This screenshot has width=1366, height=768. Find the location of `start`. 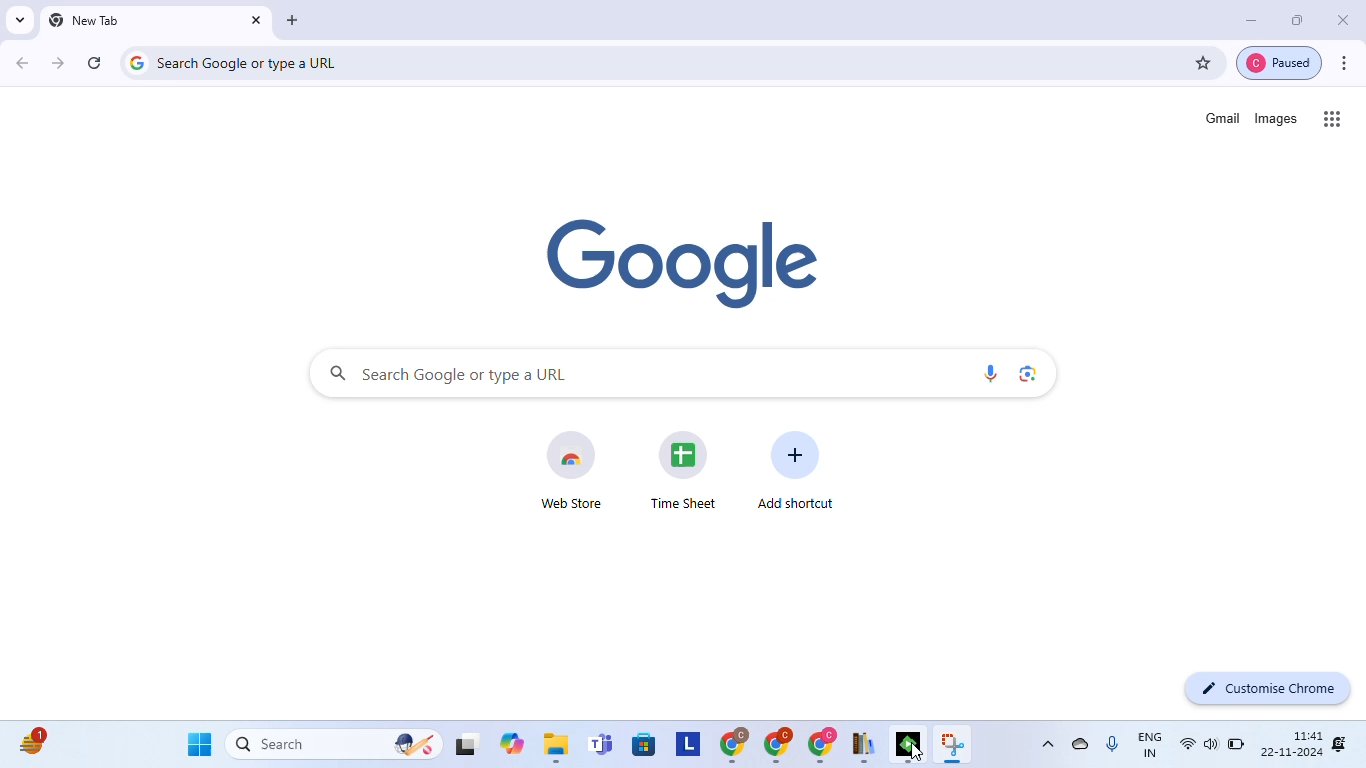

start is located at coordinates (198, 742).